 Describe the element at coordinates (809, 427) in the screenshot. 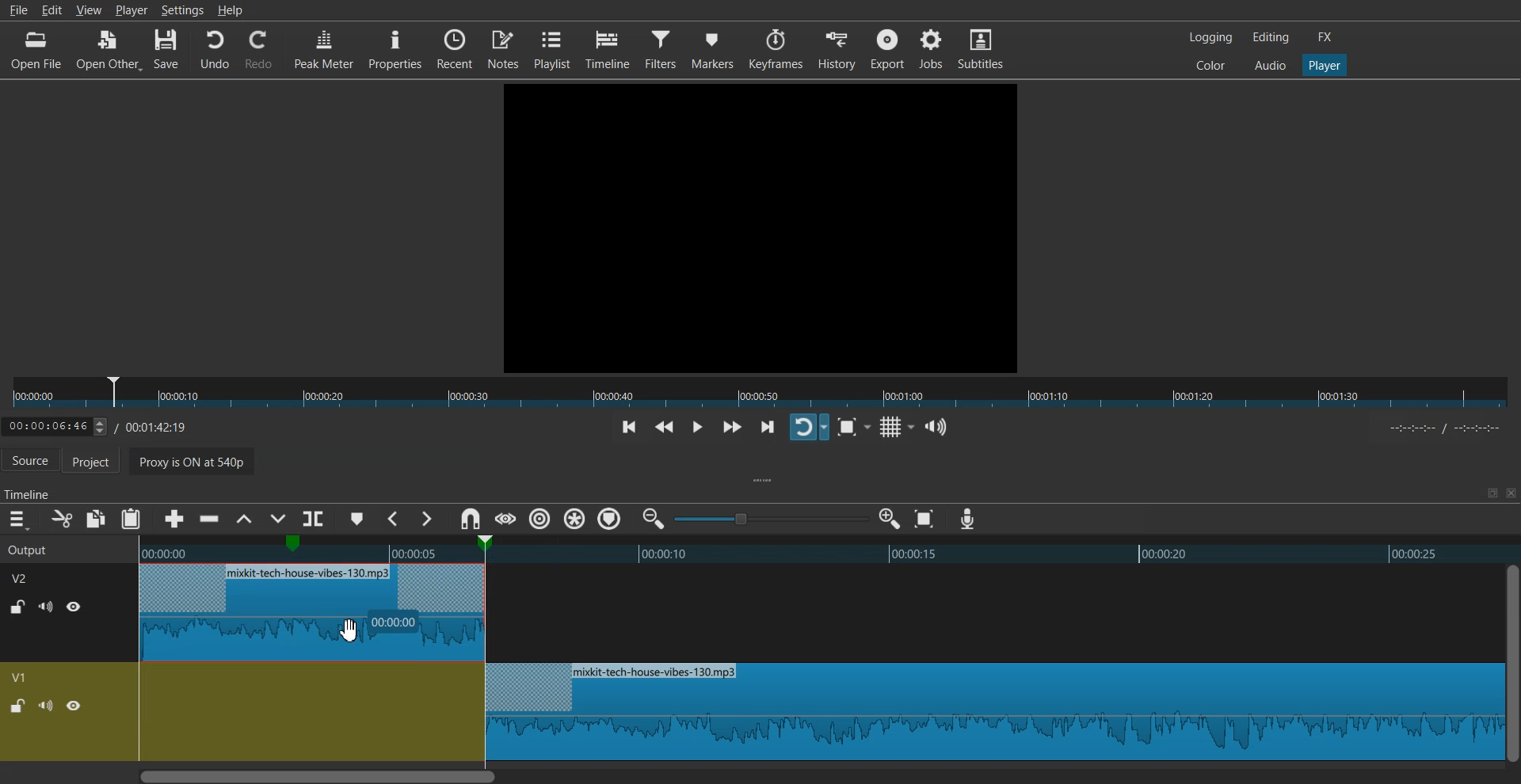

I see `Toggle player lopping` at that location.